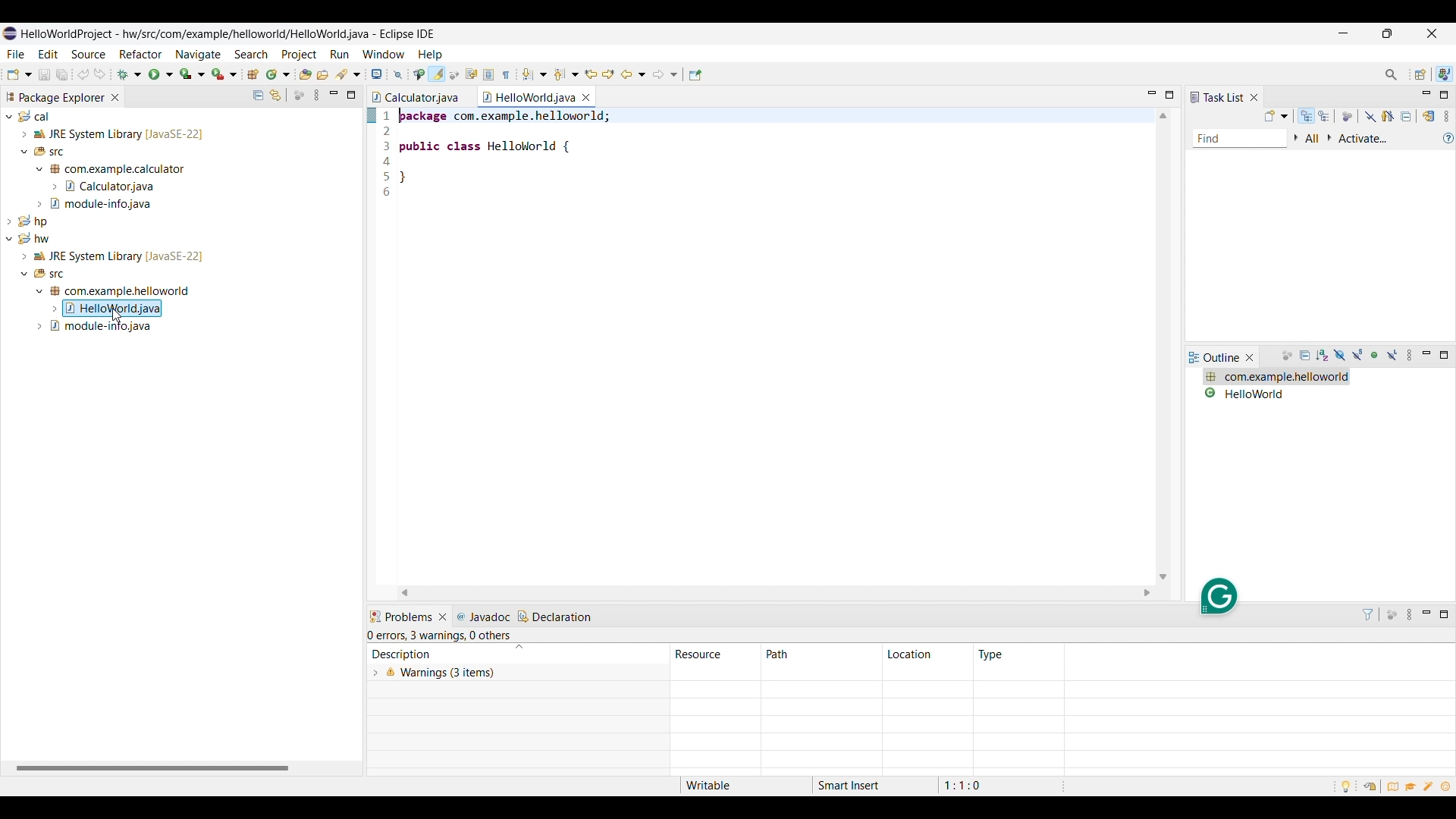 The height and width of the screenshot is (819, 1456). I want to click on Minimize, so click(334, 95).